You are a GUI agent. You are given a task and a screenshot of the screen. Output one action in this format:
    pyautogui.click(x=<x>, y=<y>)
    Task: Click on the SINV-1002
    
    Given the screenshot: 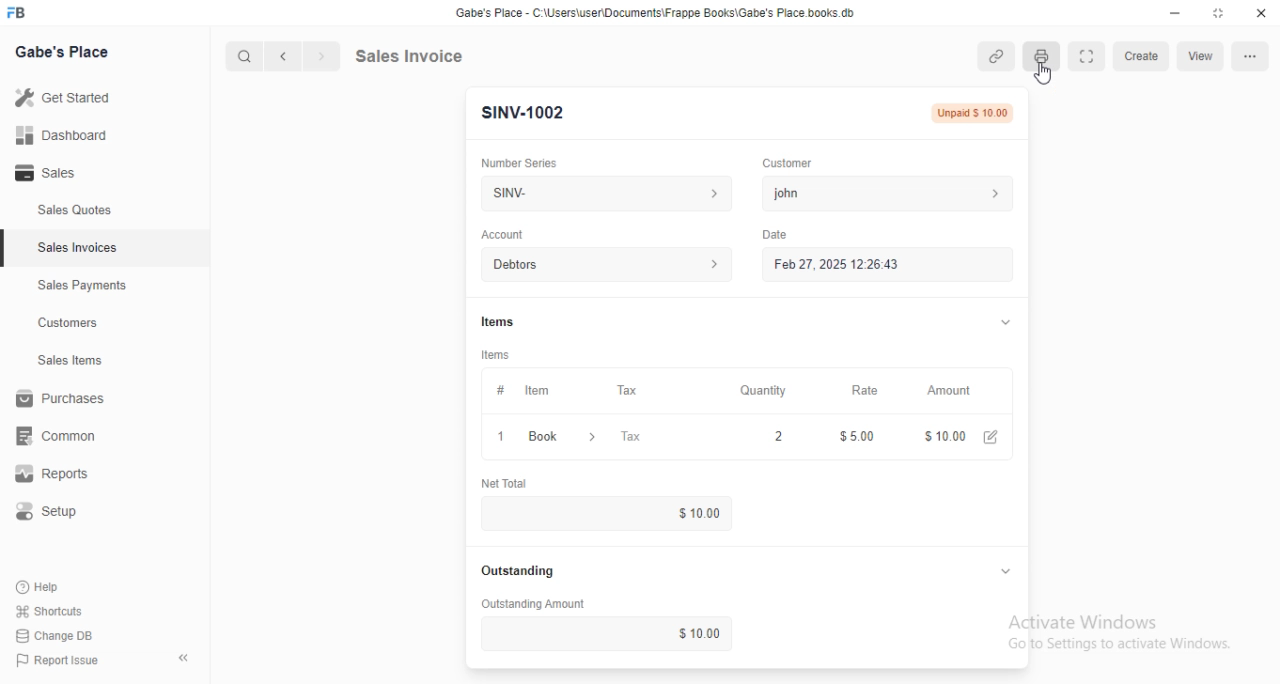 What is the action you would take?
    pyautogui.click(x=522, y=112)
    